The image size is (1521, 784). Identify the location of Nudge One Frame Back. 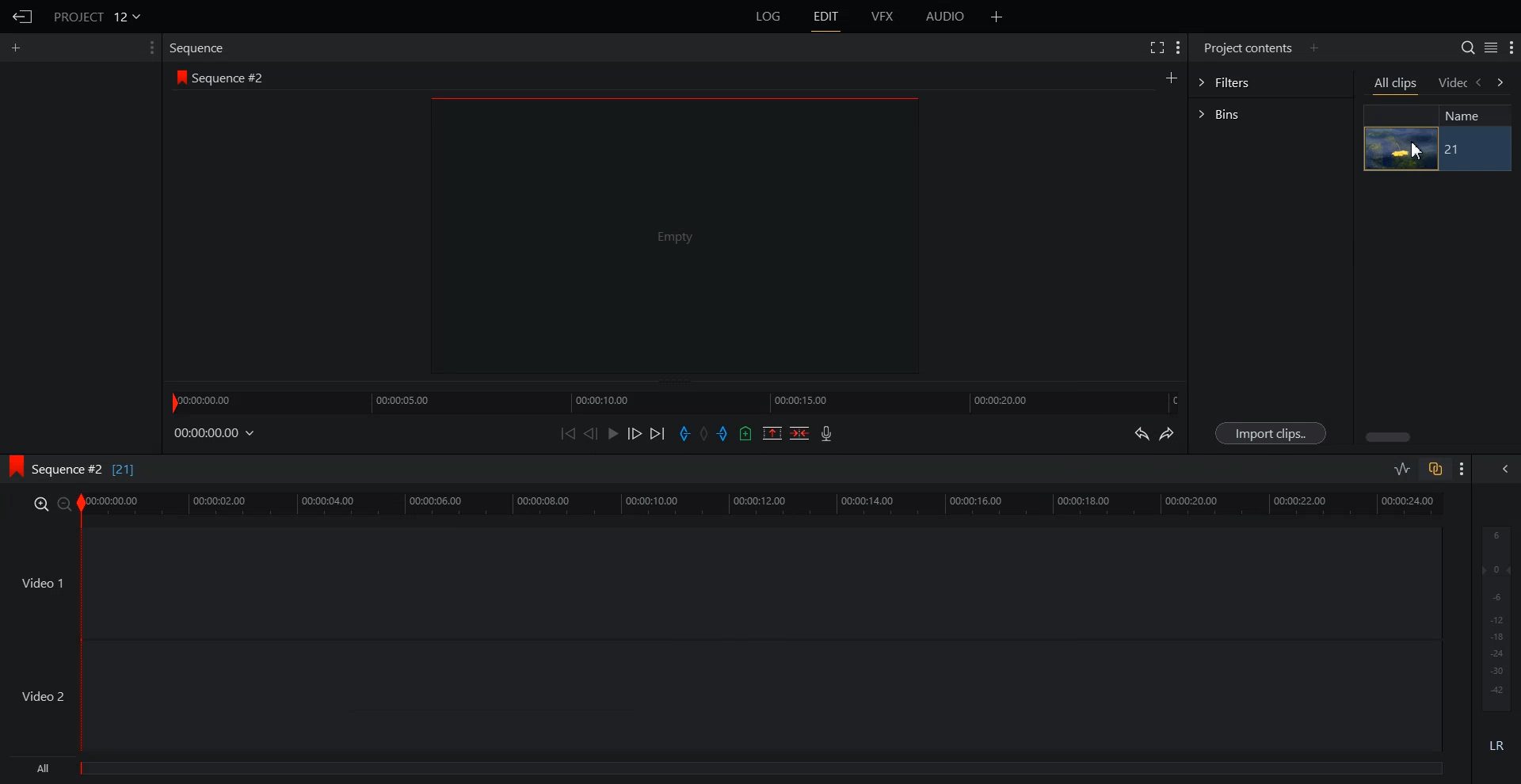
(592, 433).